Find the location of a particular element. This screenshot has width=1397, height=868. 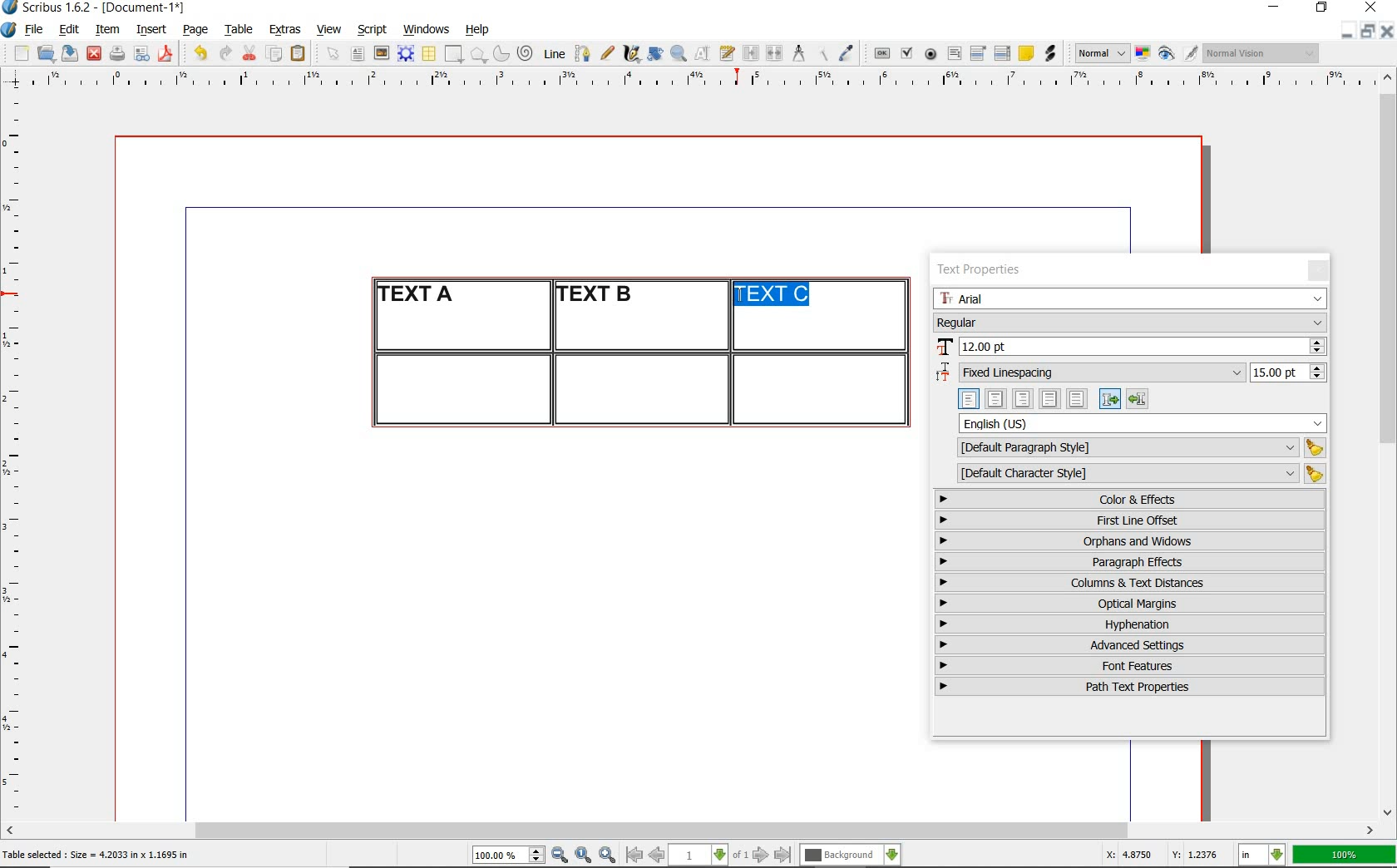

text language is located at coordinates (1143, 423).